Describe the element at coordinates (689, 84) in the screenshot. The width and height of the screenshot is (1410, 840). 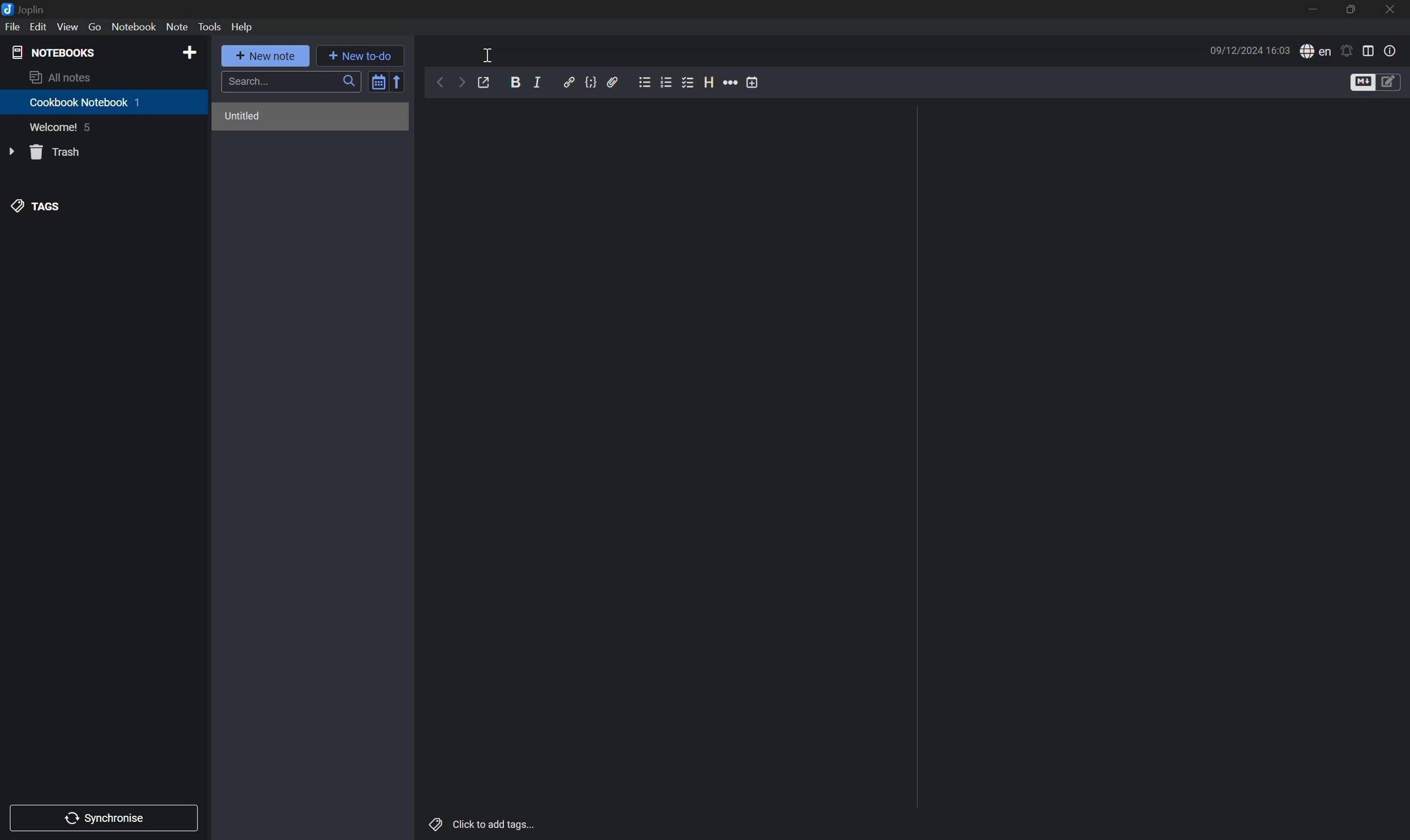
I see `Checkbox List` at that location.